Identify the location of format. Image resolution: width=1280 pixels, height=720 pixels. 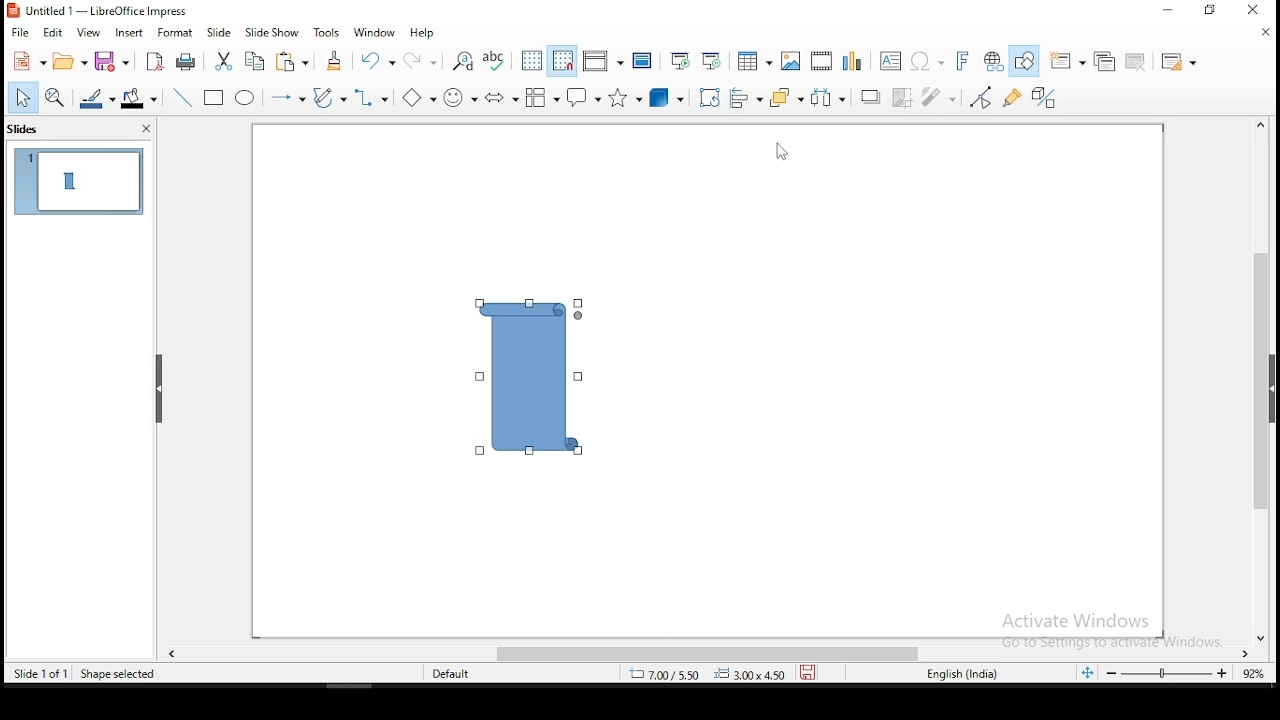
(179, 34).